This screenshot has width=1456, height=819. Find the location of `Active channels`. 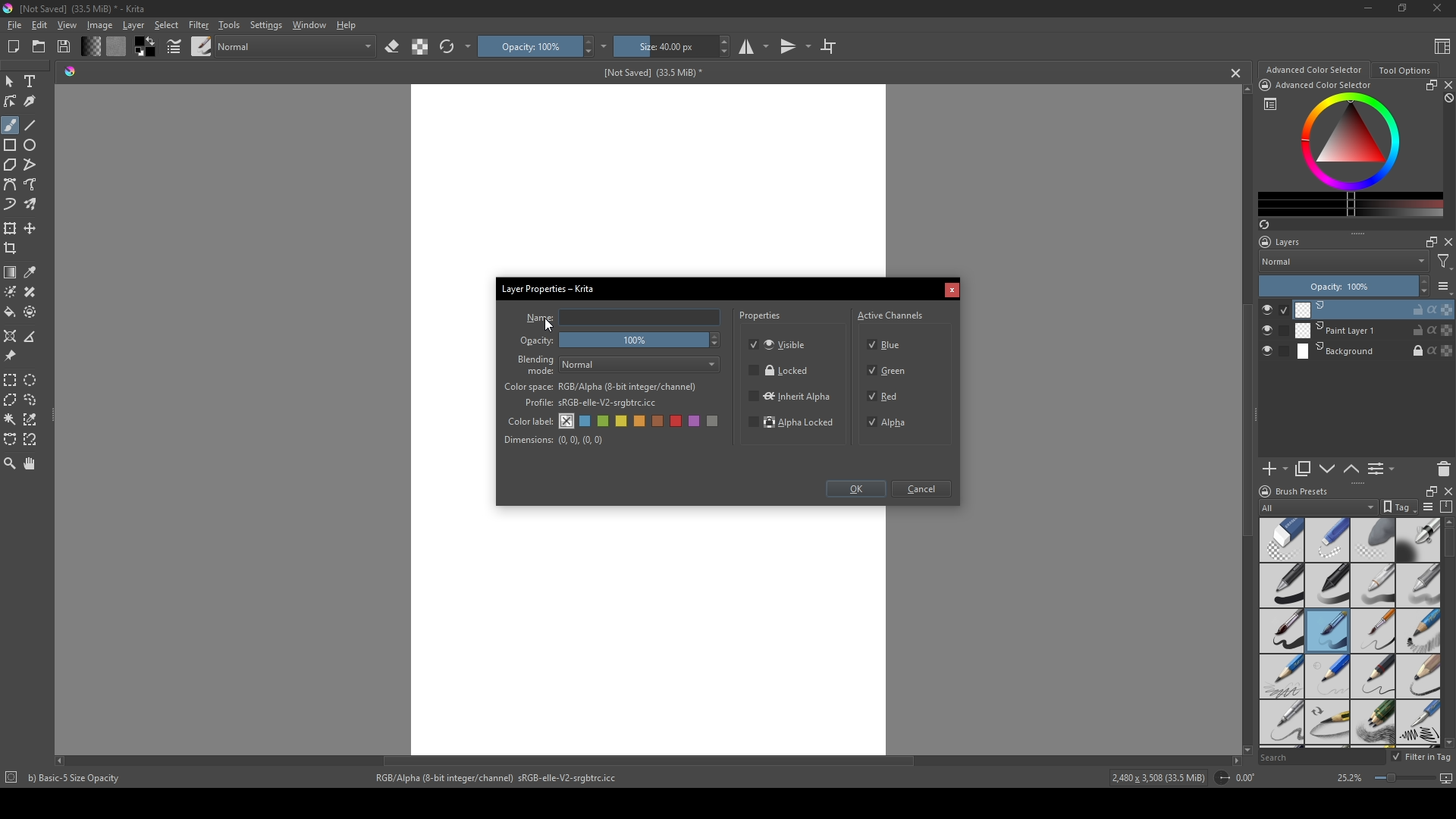

Active channels is located at coordinates (891, 313).